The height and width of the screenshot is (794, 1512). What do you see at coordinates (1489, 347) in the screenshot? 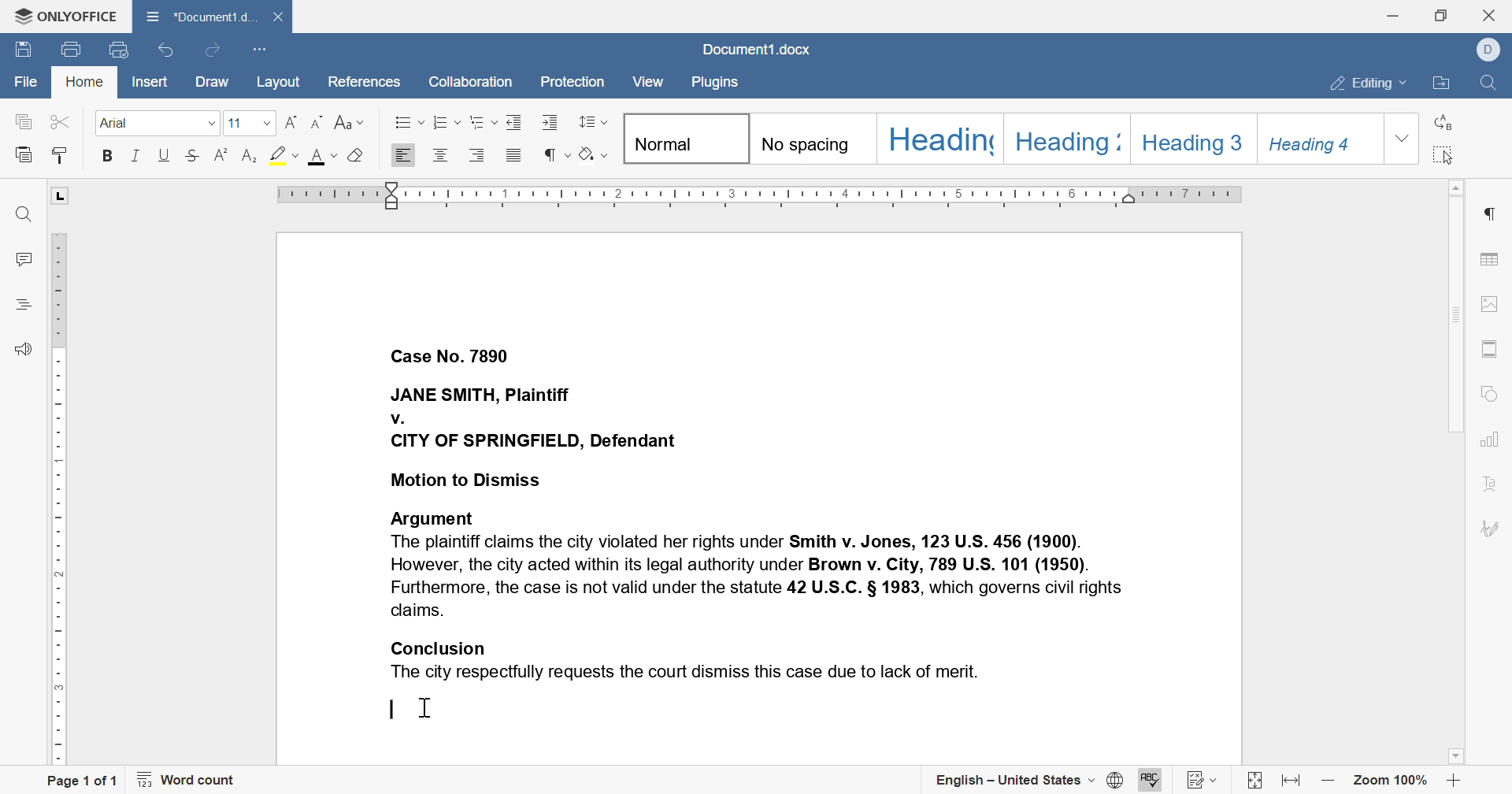
I see `header & footer settings` at bounding box center [1489, 347].